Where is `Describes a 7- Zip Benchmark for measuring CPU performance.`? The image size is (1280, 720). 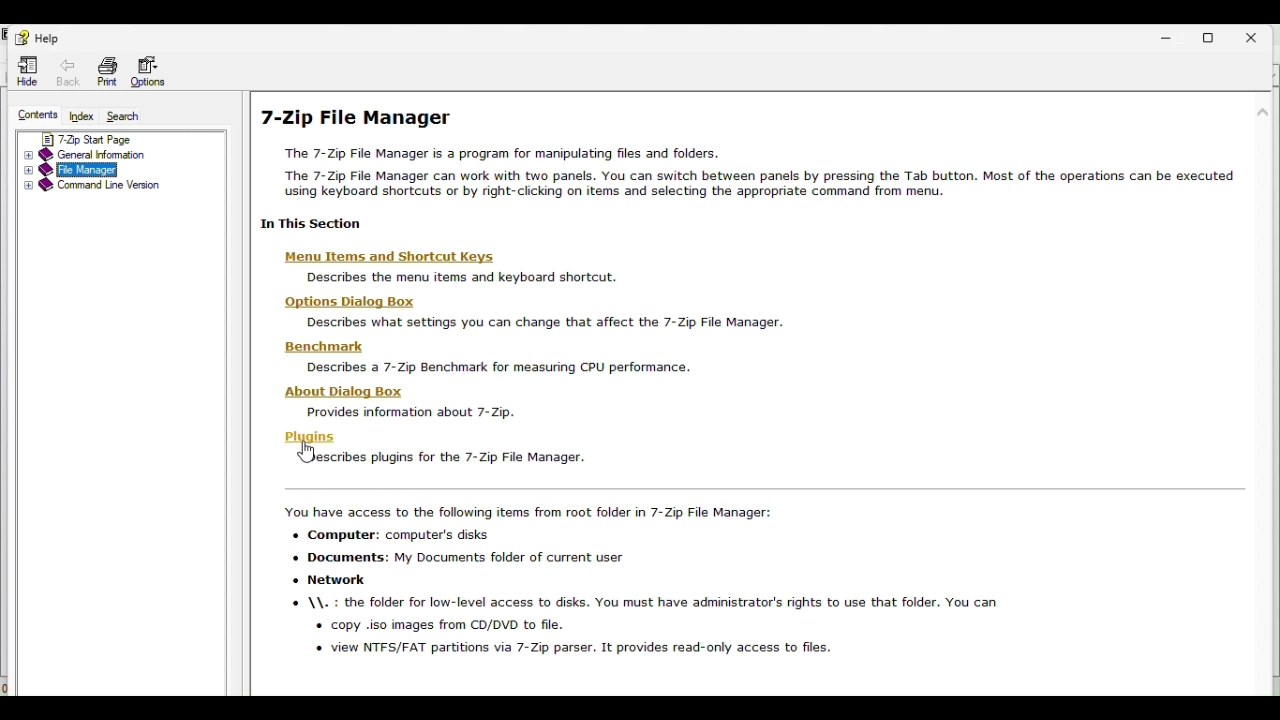 Describes a 7- Zip Benchmark for measuring CPU performance. is located at coordinates (499, 368).